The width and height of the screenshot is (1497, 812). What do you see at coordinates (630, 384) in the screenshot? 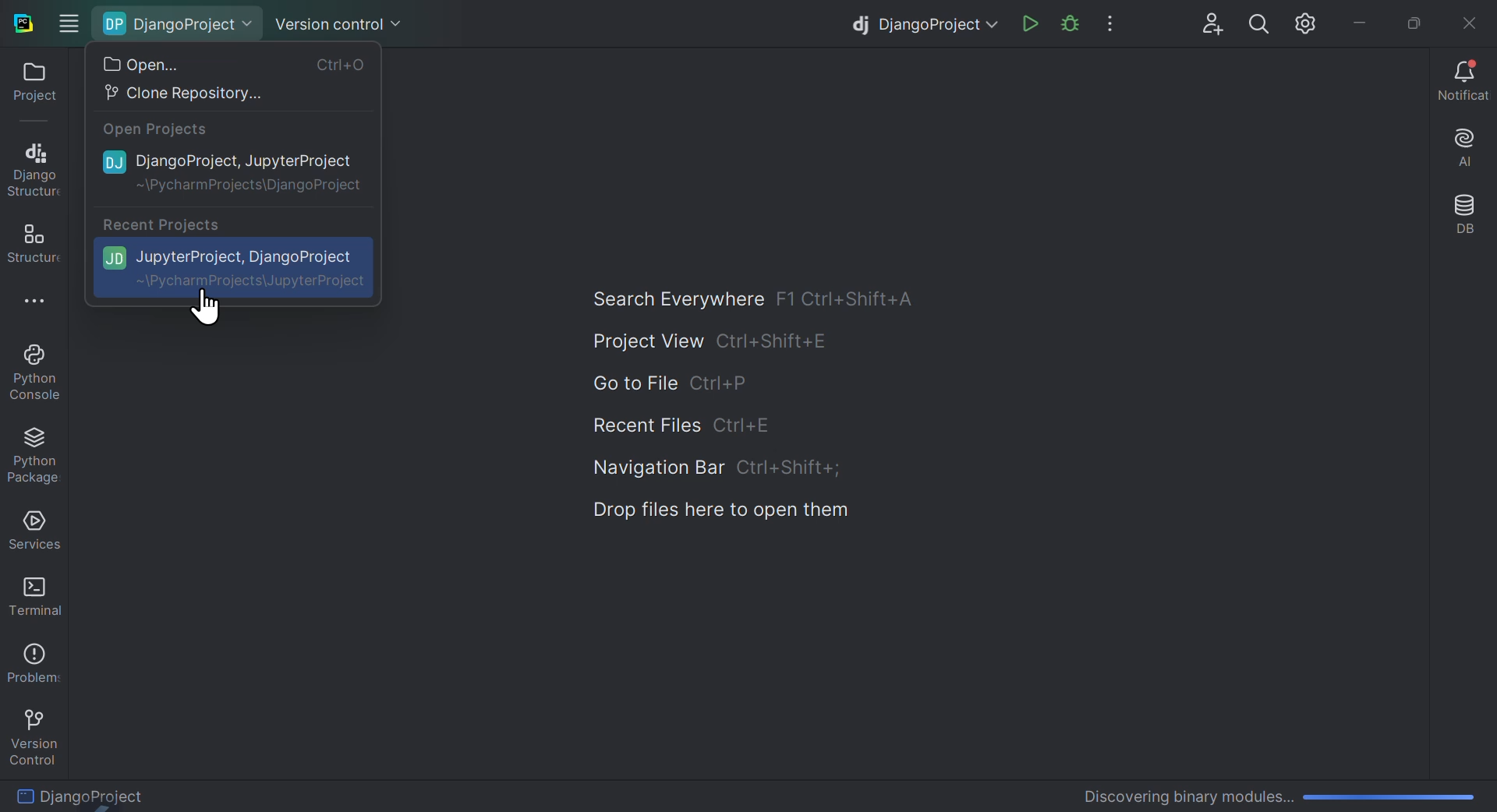
I see `Go to file` at bounding box center [630, 384].